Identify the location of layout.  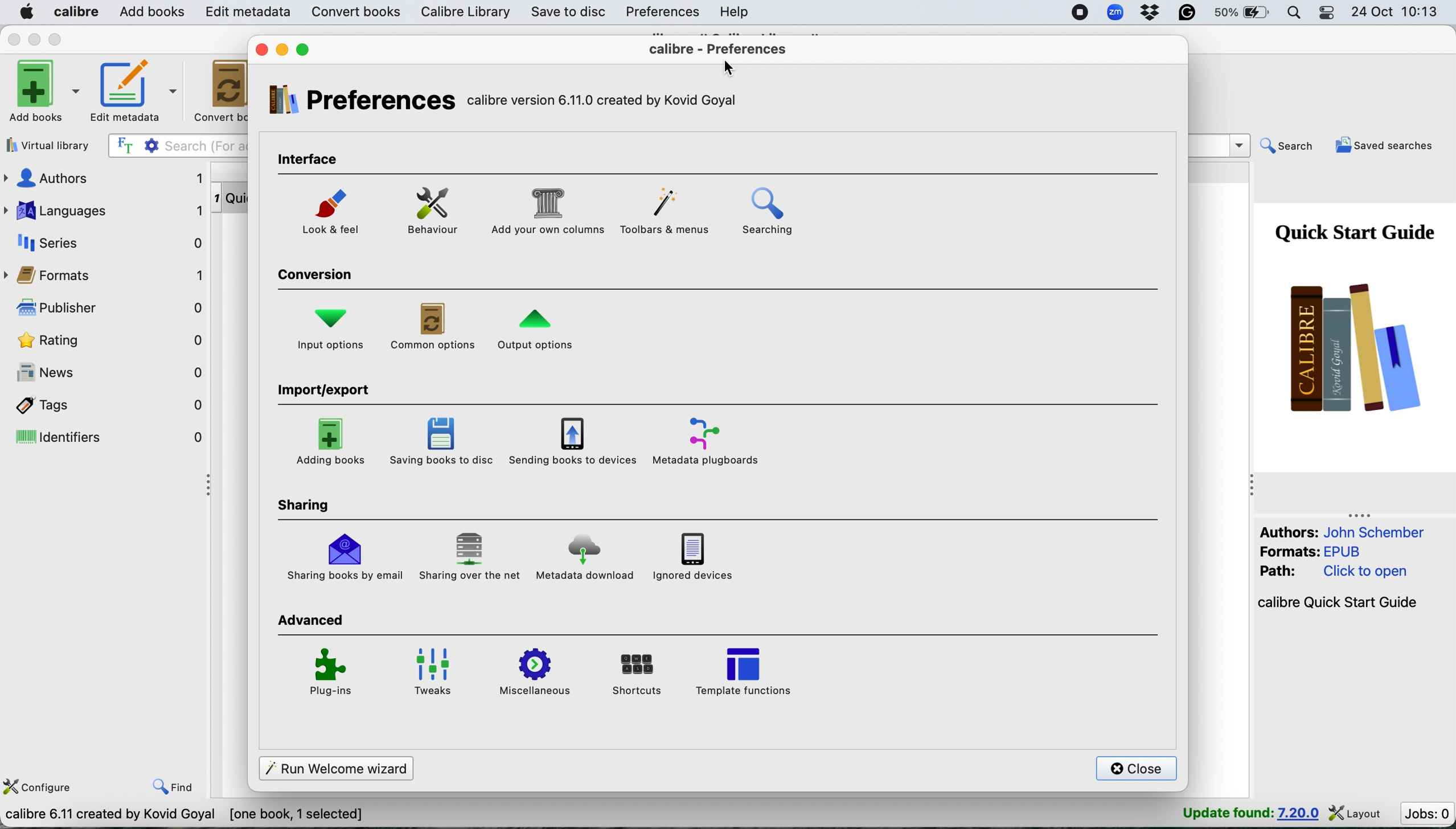
(1357, 815).